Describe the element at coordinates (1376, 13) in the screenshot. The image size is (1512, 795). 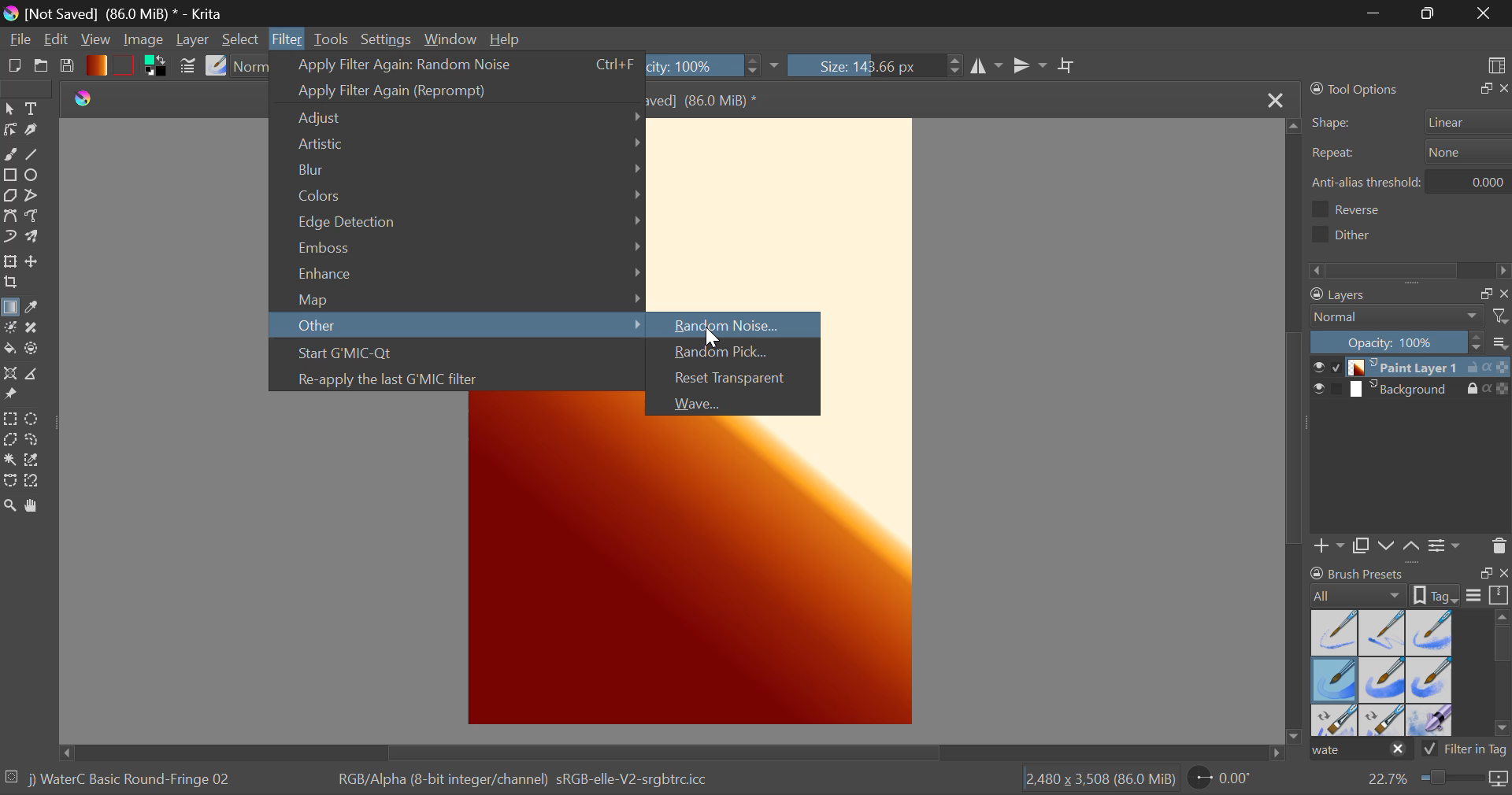
I see `Restore Down` at that location.